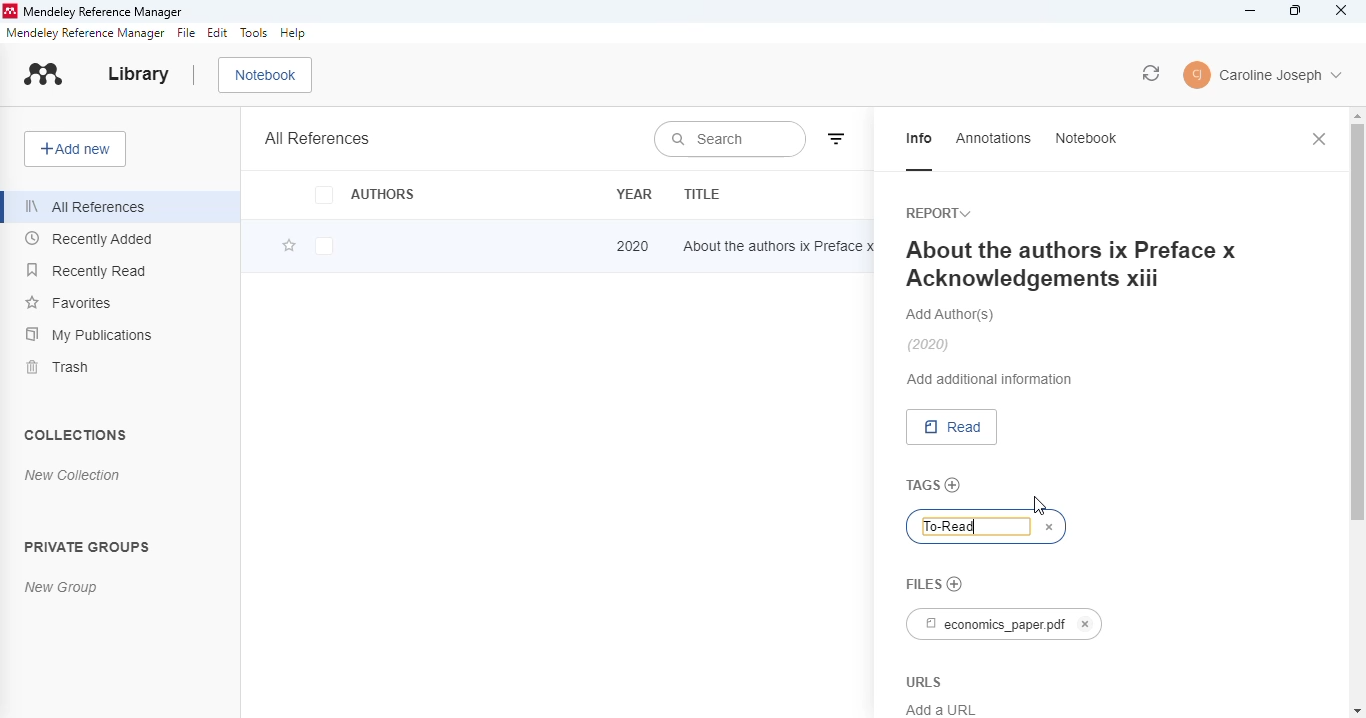  I want to click on account, so click(1262, 74).